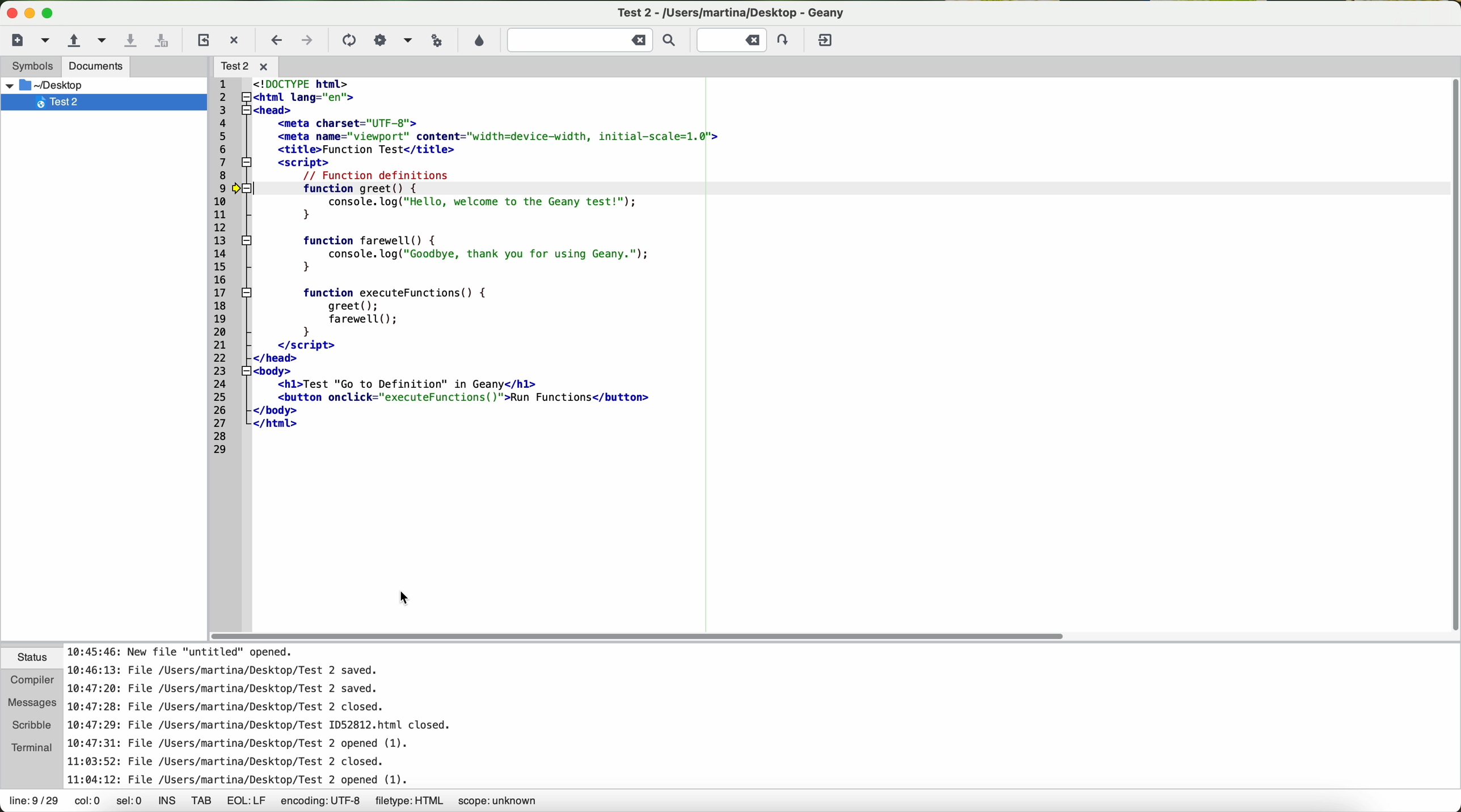 The image size is (1461, 812). Describe the element at coordinates (98, 102) in the screenshot. I see `test 2` at that location.